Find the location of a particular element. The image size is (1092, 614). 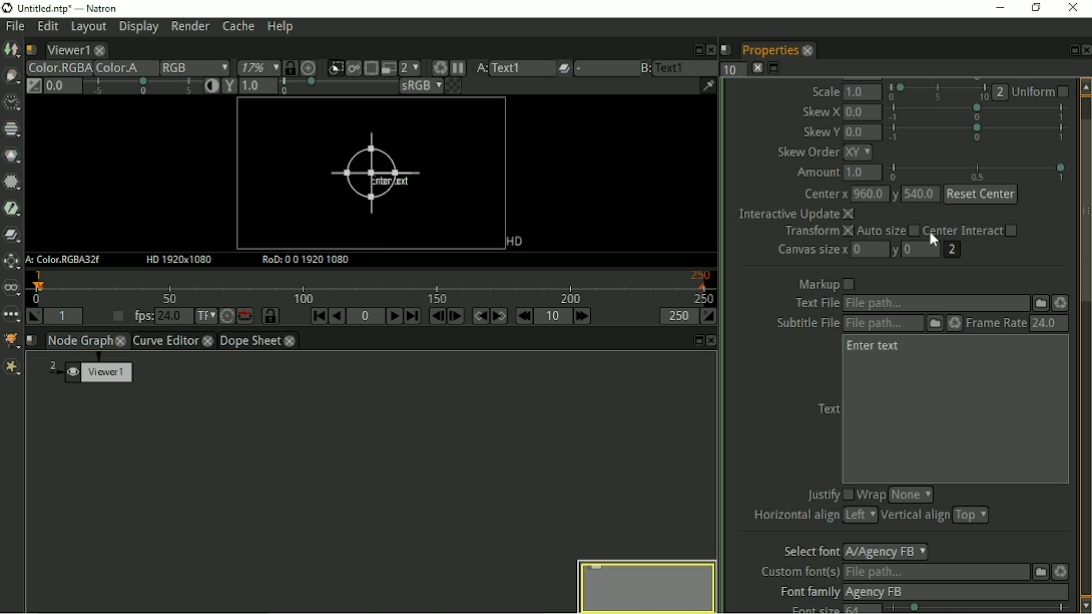

0 is located at coordinates (871, 250).